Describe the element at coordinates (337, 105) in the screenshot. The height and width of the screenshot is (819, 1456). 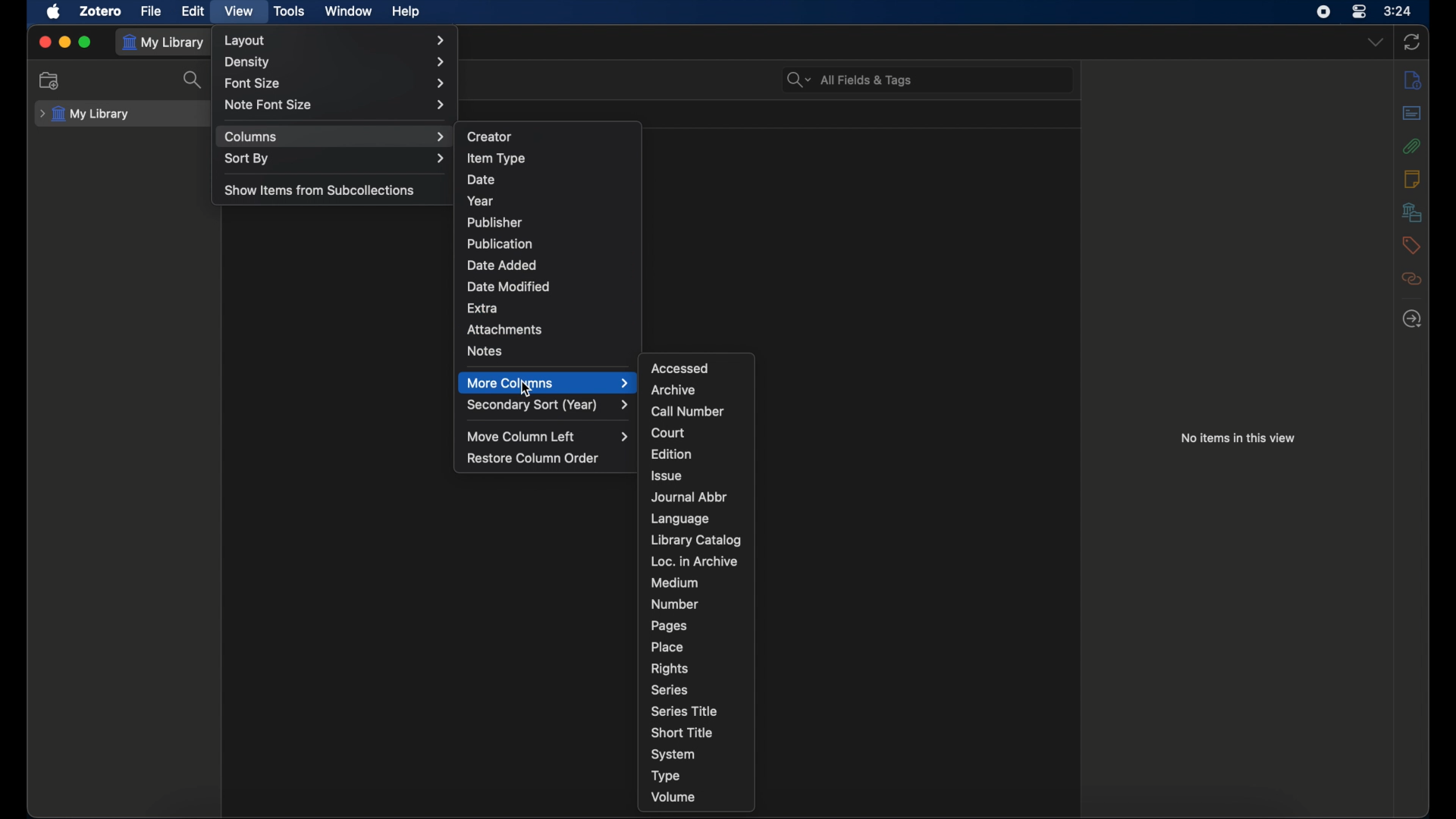
I see `note font size` at that location.